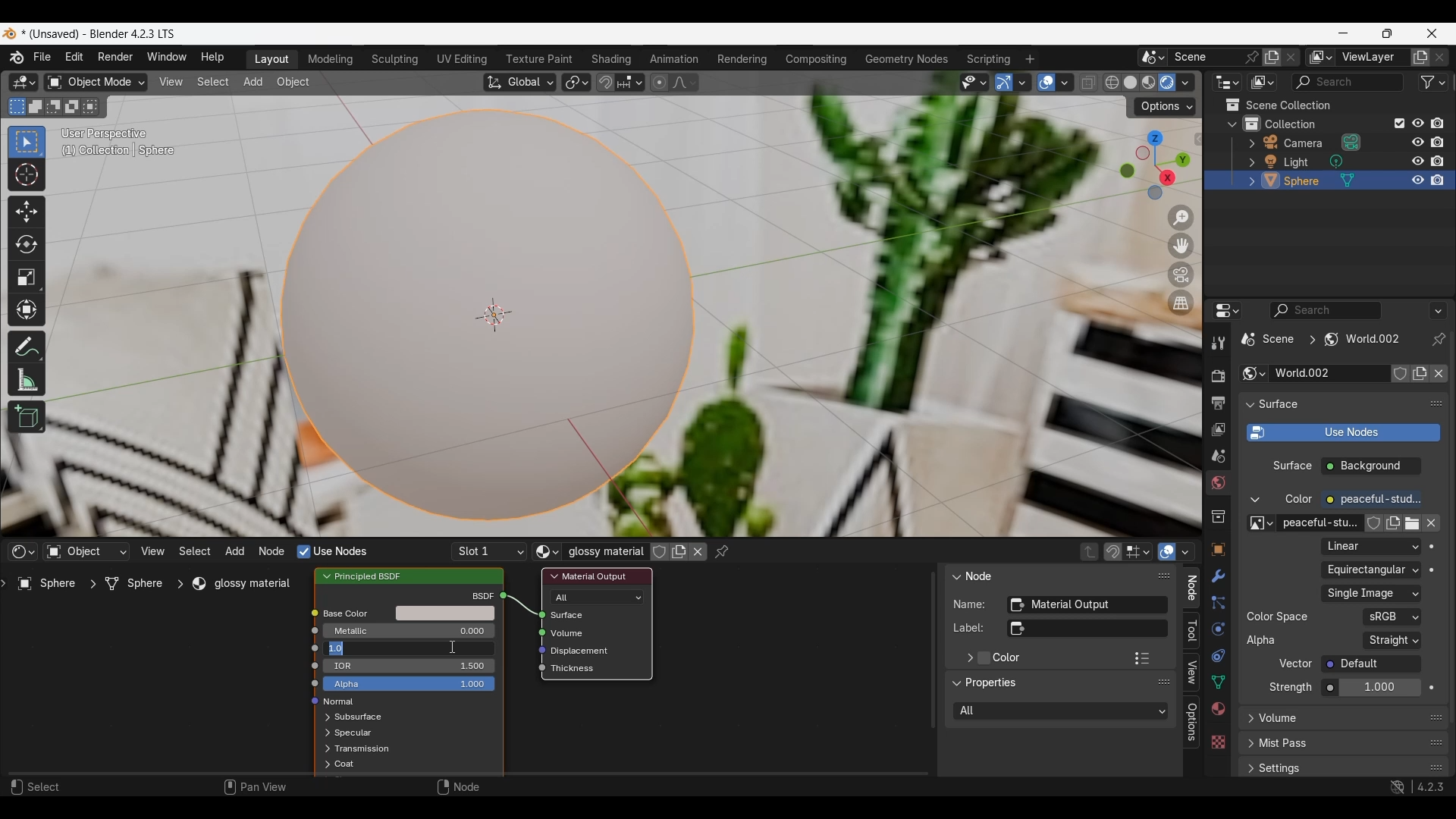 This screenshot has width=1456, height=819. I want to click on Tool panel, so click(1192, 631).